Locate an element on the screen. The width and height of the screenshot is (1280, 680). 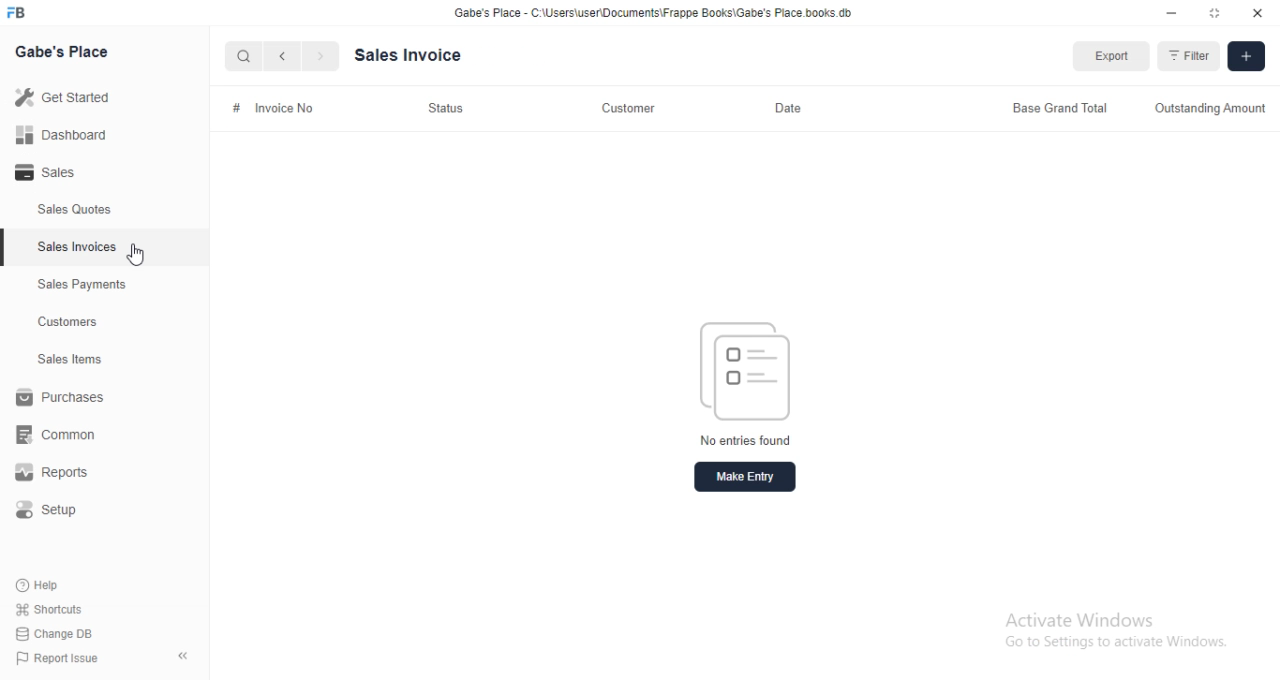
Customer is located at coordinates (629, 108).